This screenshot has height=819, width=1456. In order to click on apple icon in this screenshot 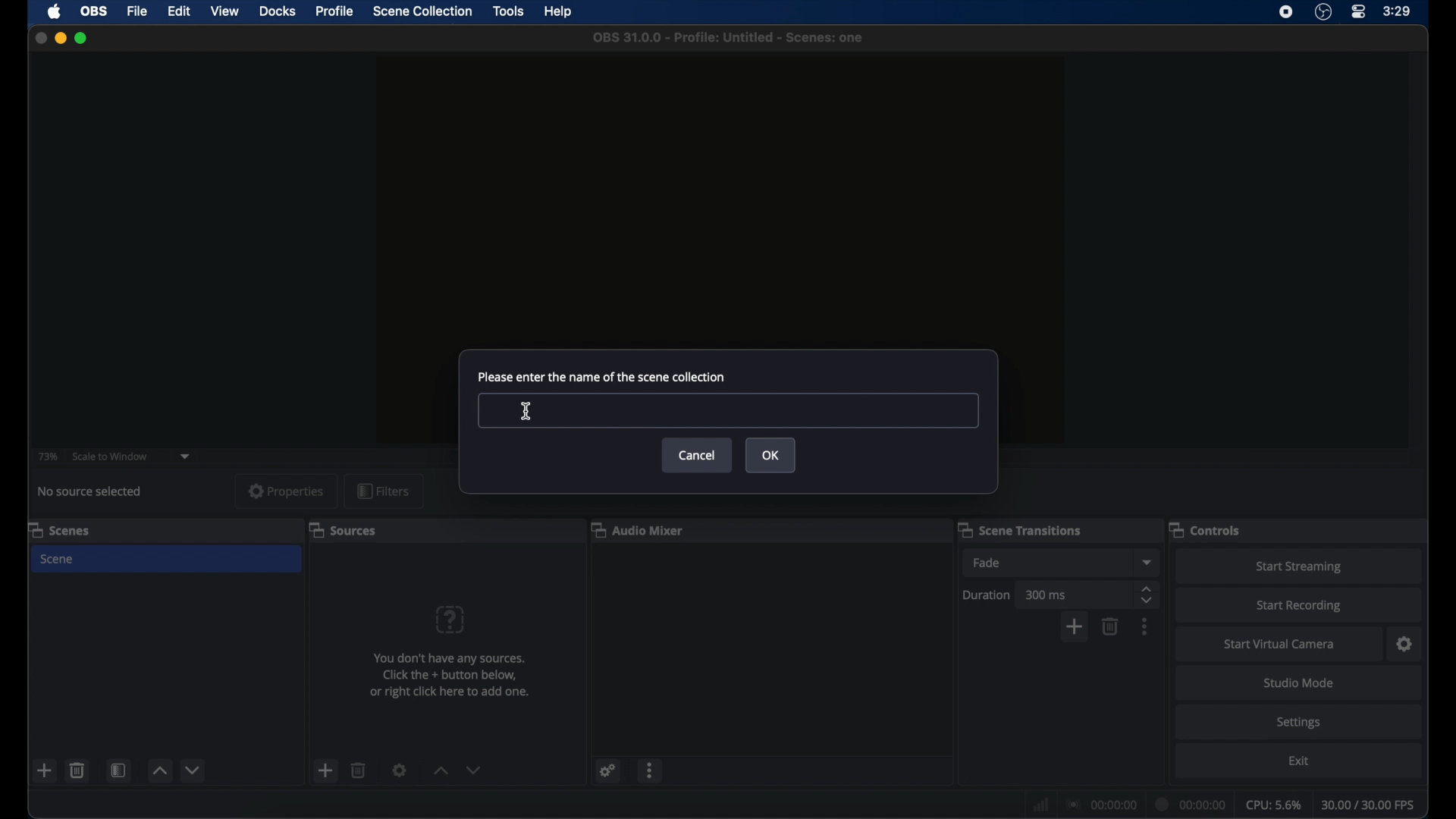, I will do `click(55, 12)`.